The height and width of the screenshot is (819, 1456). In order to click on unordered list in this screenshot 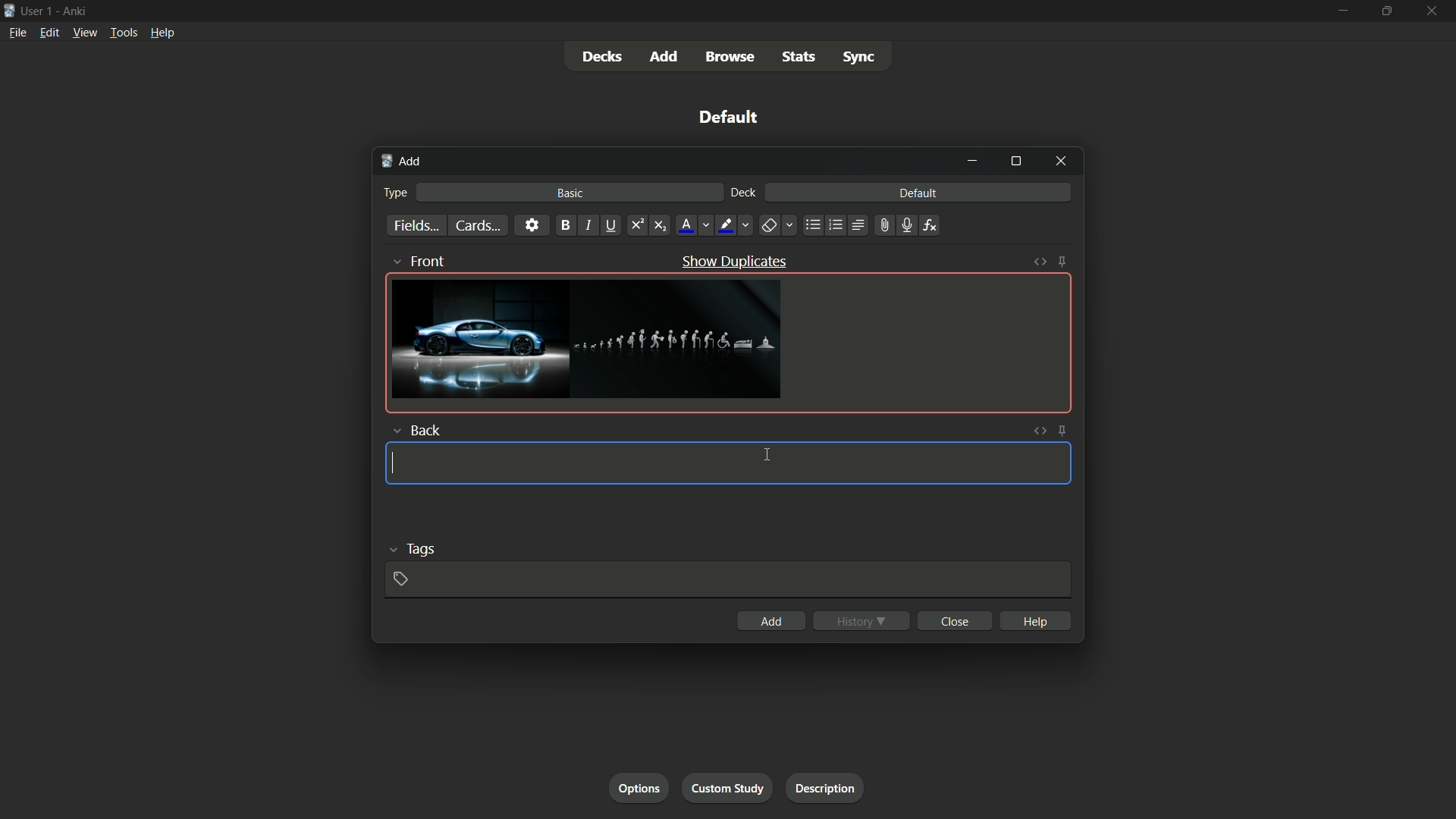, I will do `click(814, 225)`.